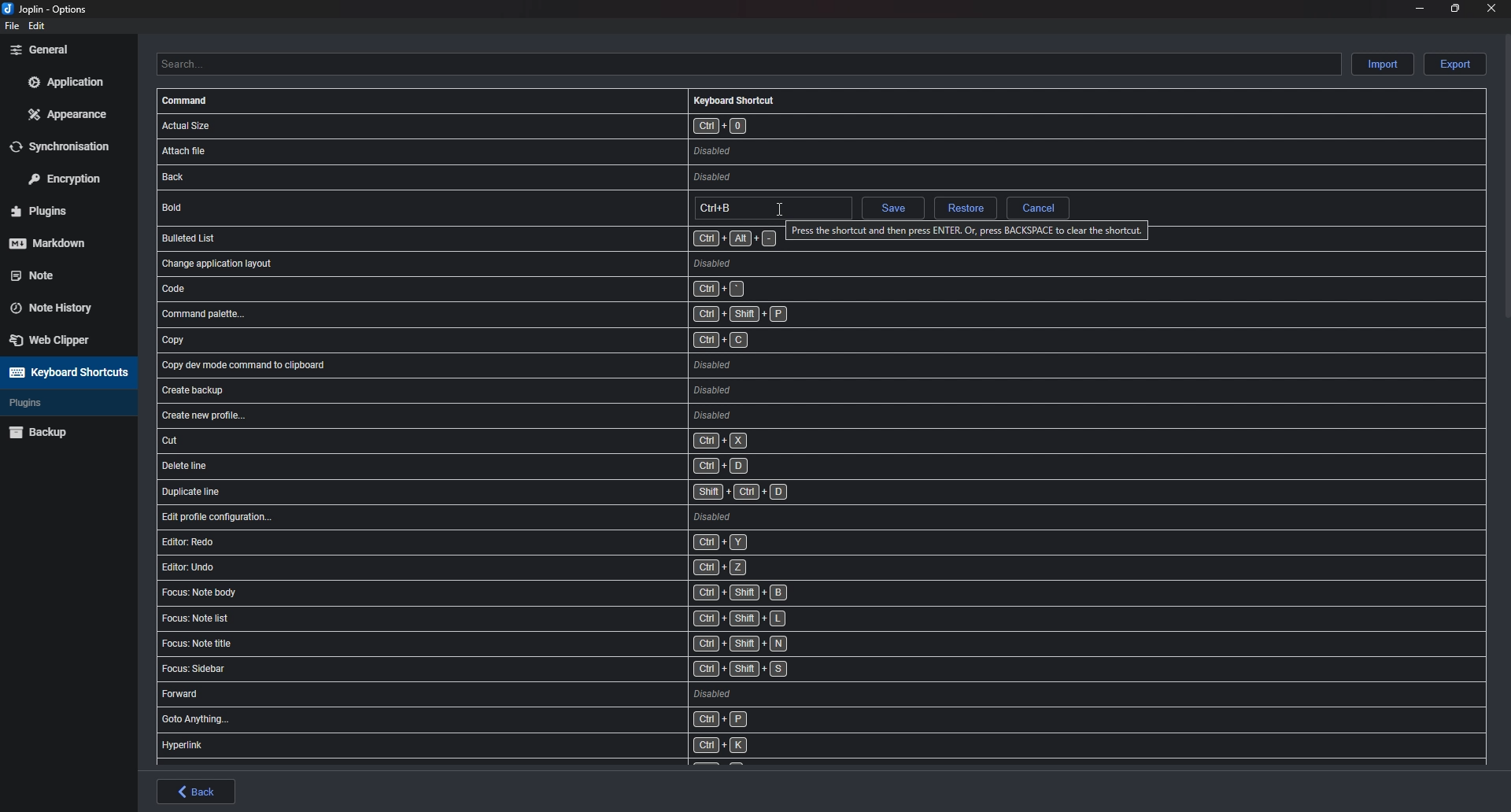 This screenshot has width=1511, height=812. Describe the element at coordinates (534, 365) in the screenshot. I see `shortcut` at that location.